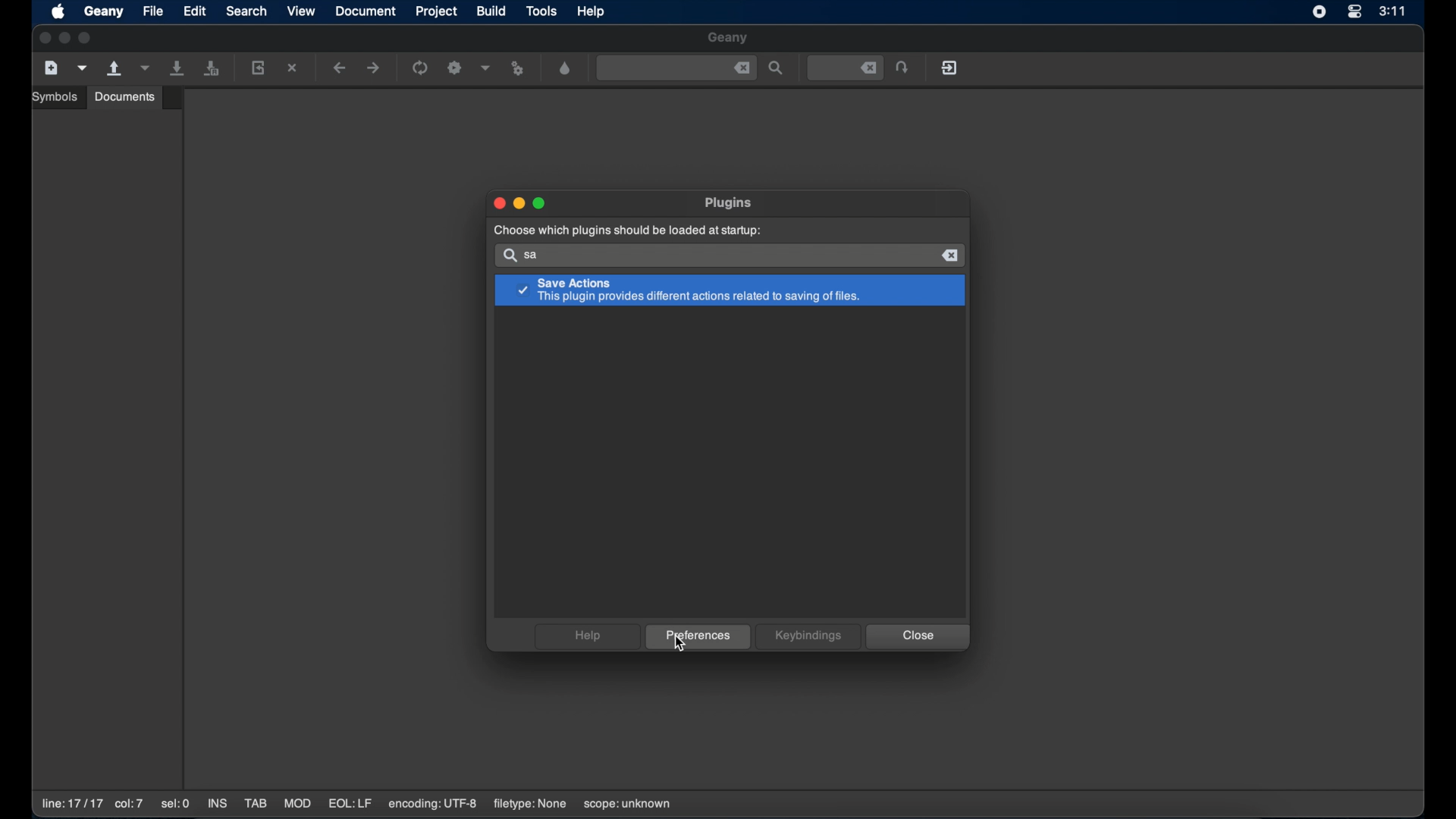  I want to click on choose which plugins should be loaded at startup, so click(626, 231).